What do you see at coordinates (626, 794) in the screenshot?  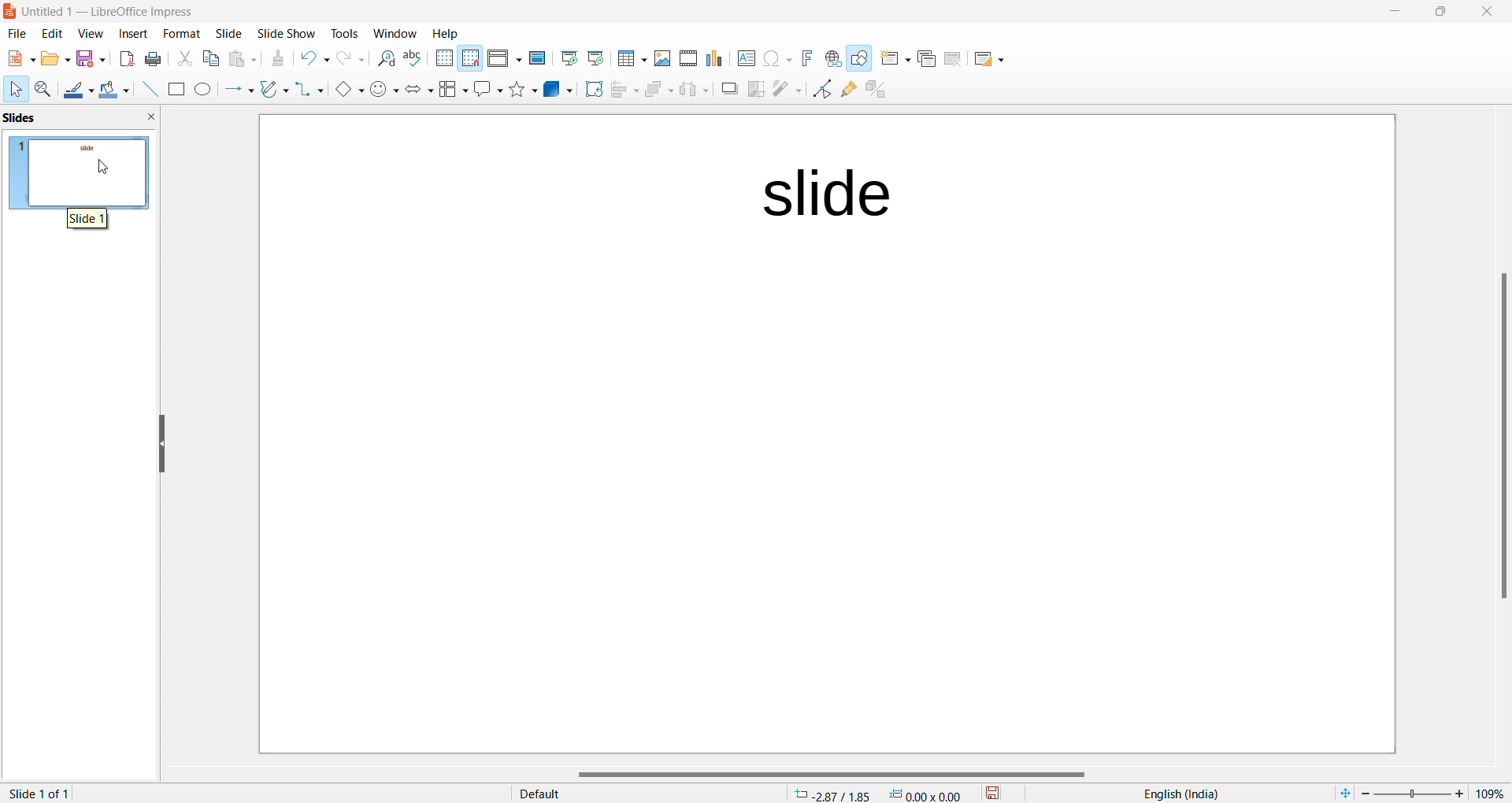 I see `display type` at bounding box center [626, 794].